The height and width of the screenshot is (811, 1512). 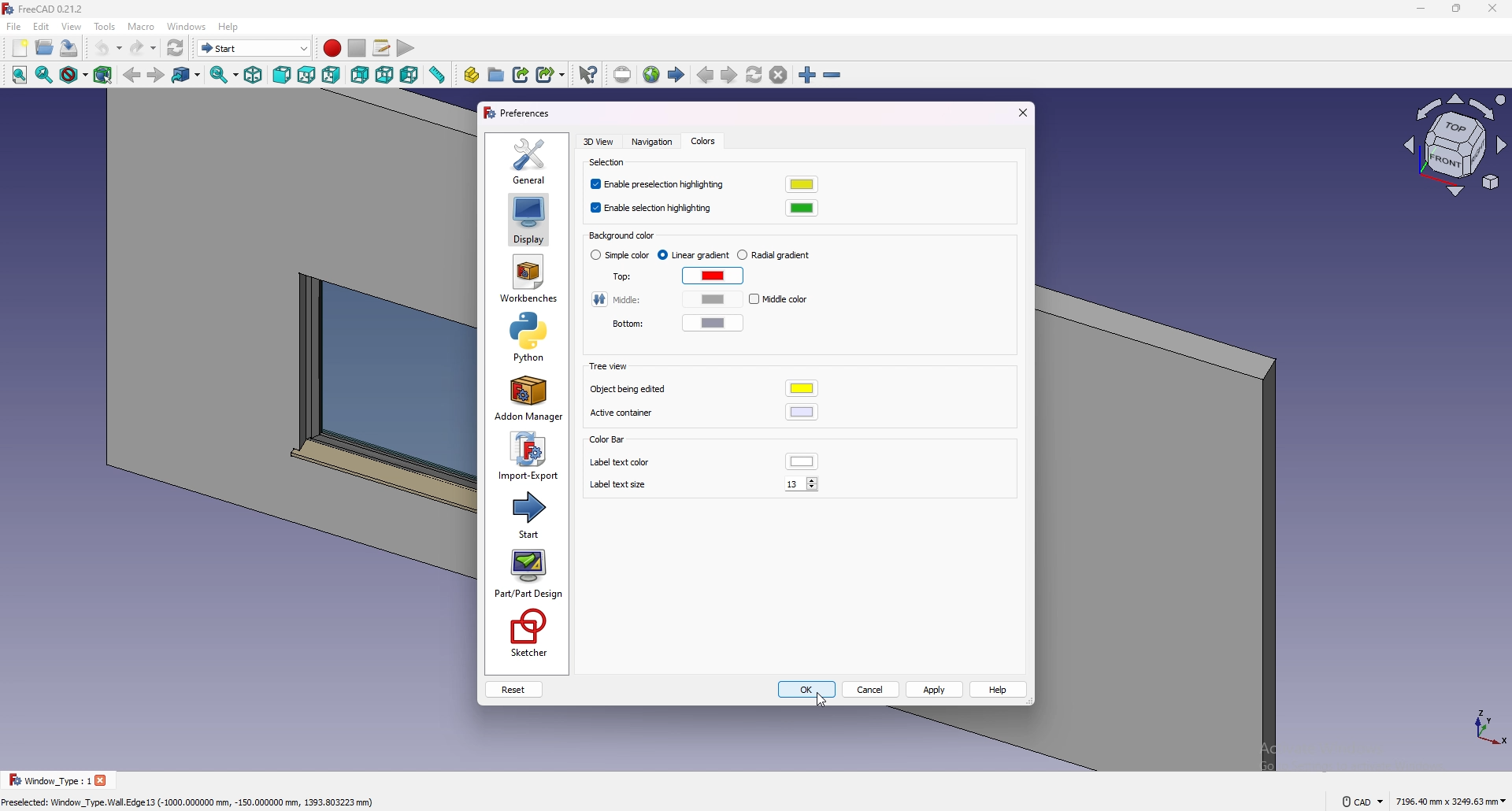 What do you see at coordinates (802, 461) in the screenshot?
I see `label text color` at bounding box center [802, 461].